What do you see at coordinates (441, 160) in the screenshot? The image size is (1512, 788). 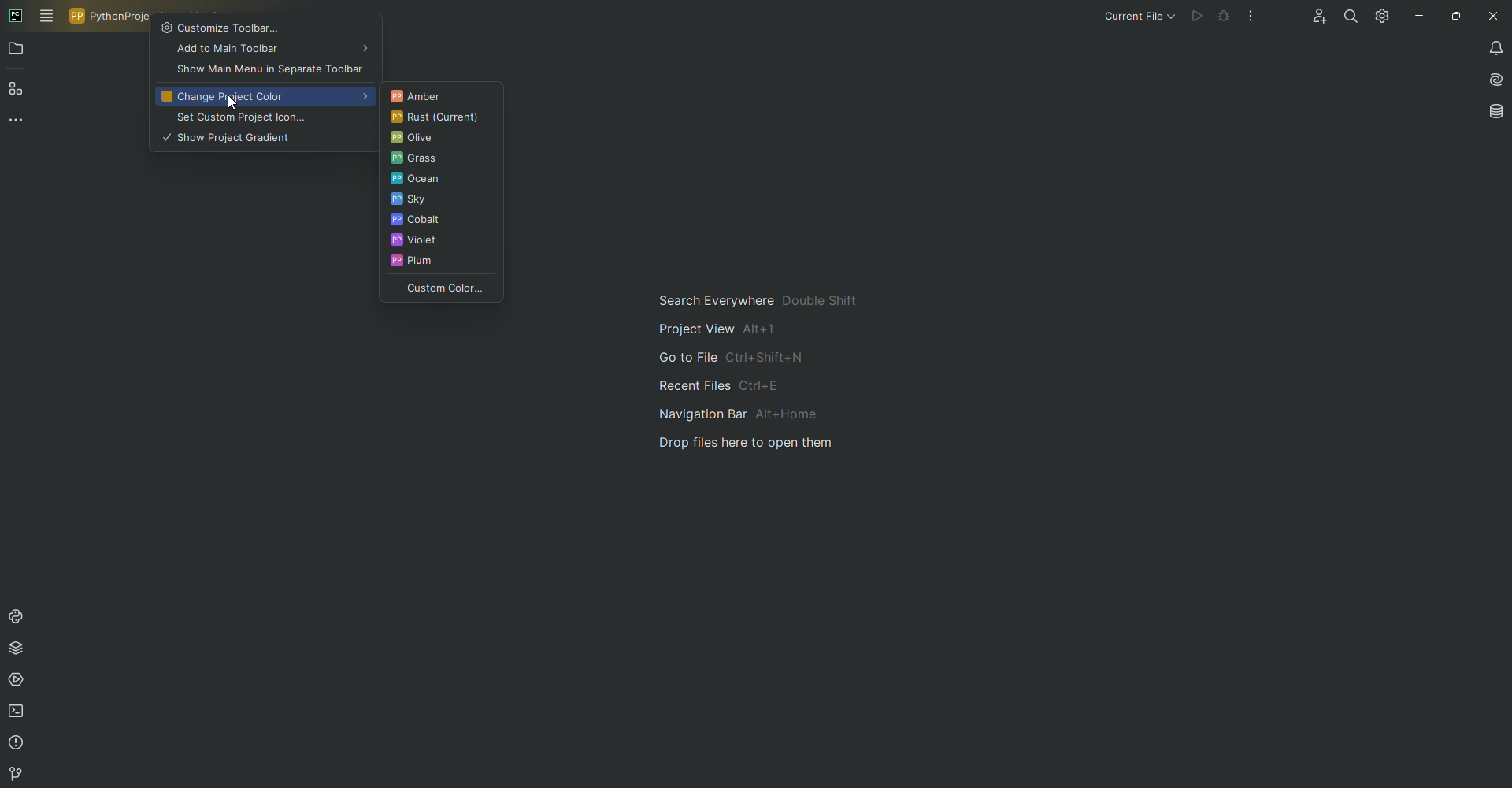 I see `Grass` at bounding box center [441, 160].